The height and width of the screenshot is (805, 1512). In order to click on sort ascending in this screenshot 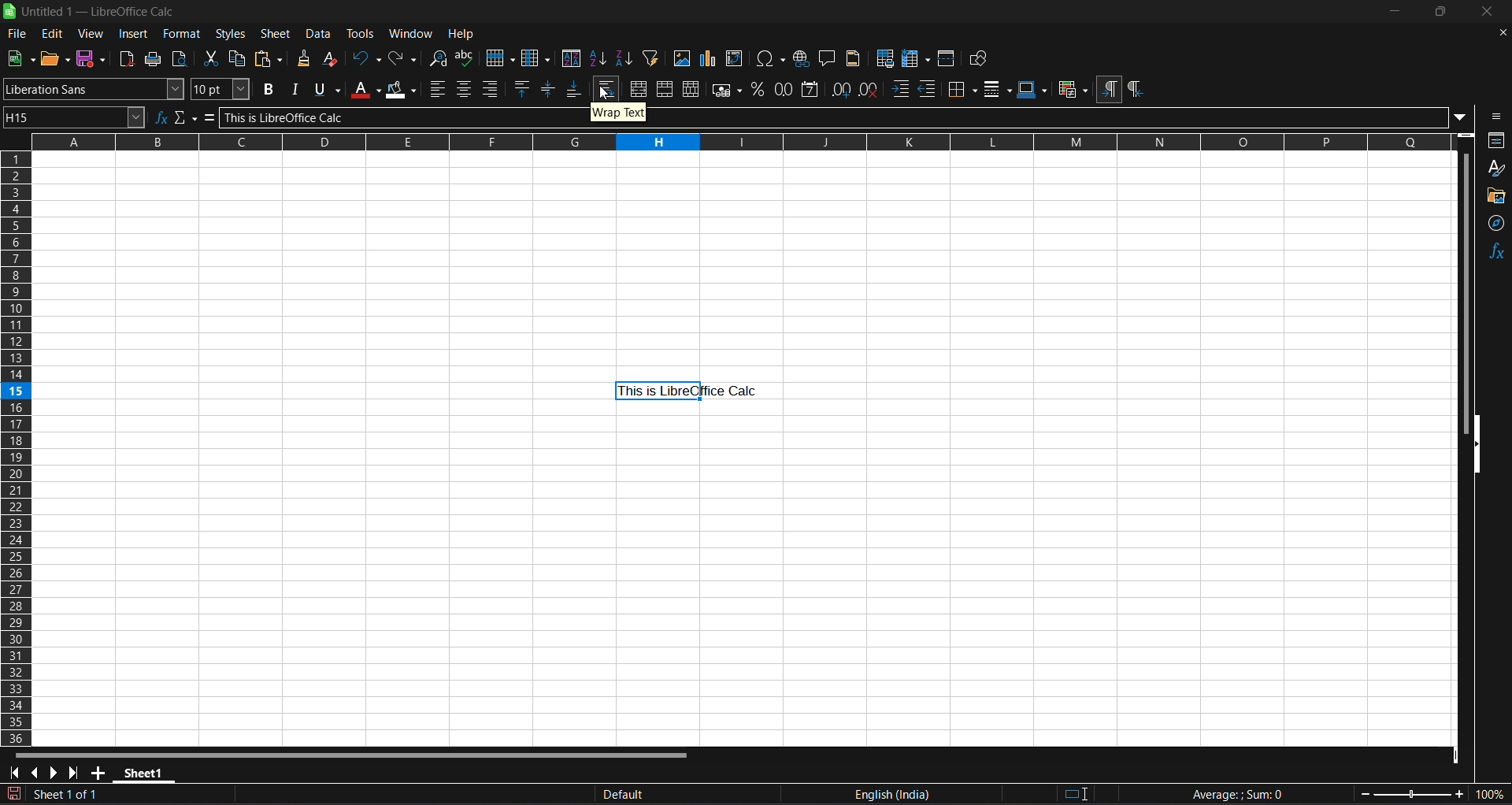, I will do `click(599, 57)`.